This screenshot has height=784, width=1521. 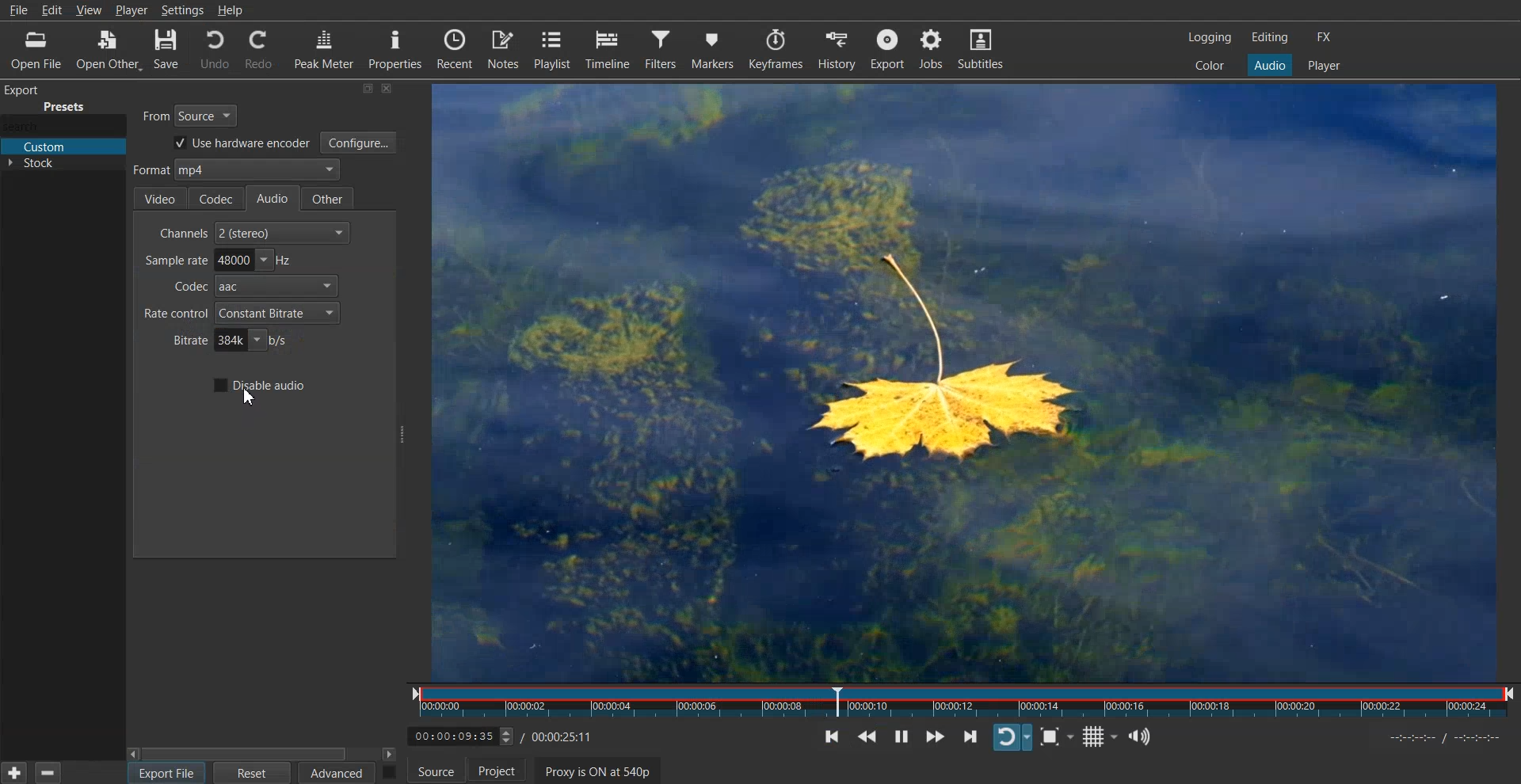 What do you see at coordinates (105, 51) in the screenshot?
I see `Open Other` at bounding box center [105, 51].